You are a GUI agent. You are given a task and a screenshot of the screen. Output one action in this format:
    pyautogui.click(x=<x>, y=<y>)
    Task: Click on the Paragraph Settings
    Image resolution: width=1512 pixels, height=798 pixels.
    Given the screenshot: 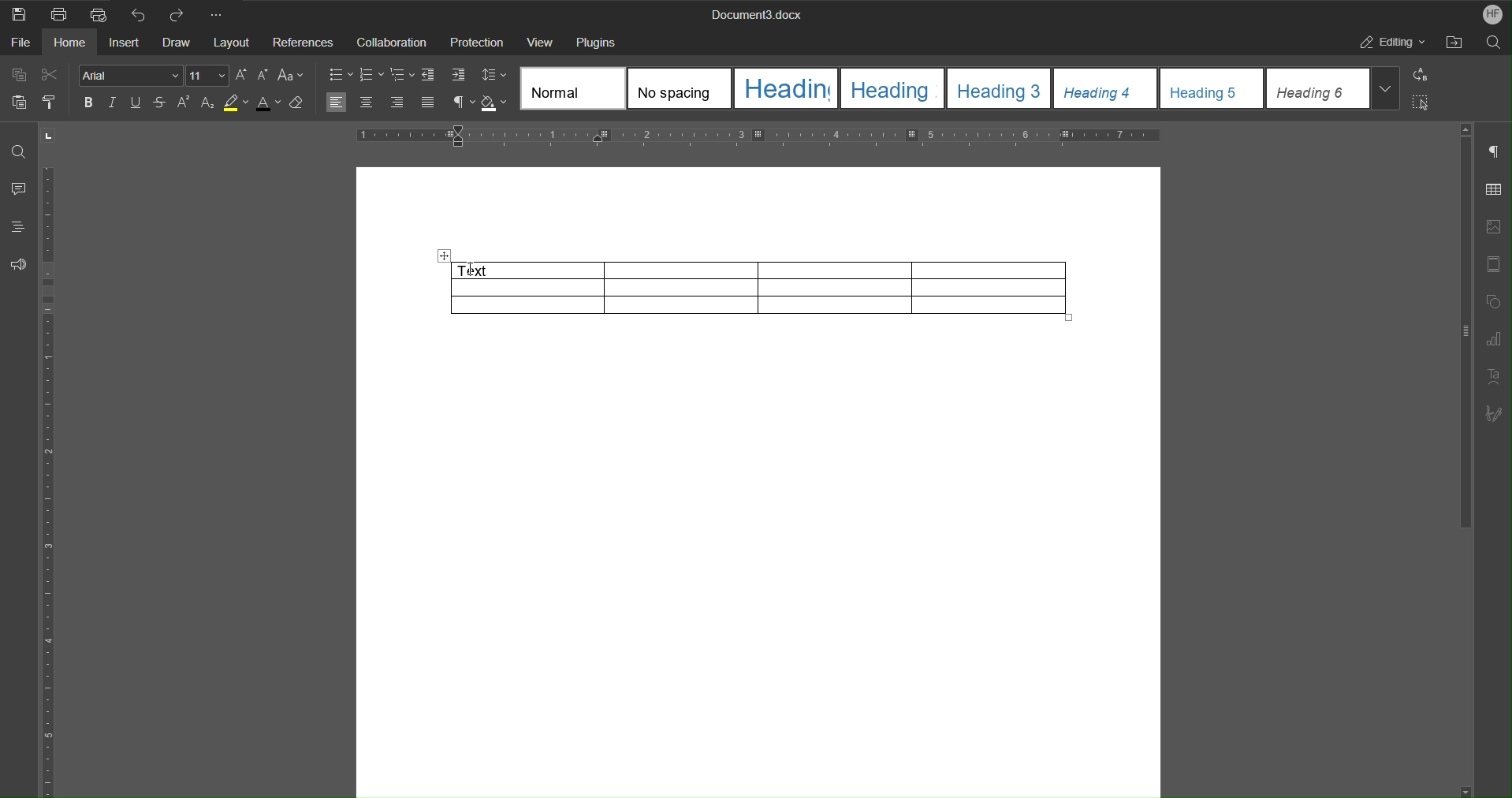 What is the action you would take?
    pyautogui.click(x=1495, y=148)
    